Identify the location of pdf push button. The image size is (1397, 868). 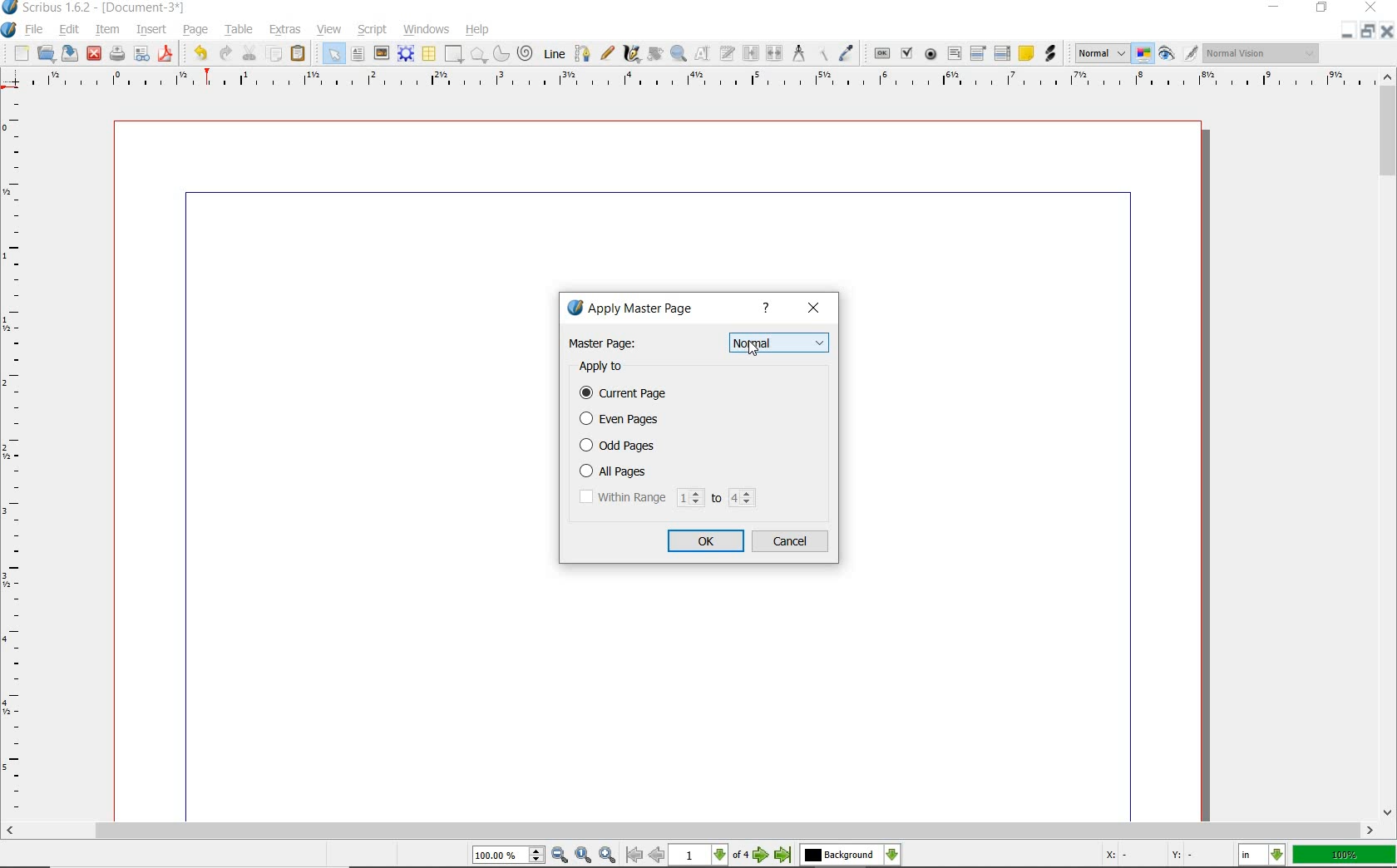
(881, 53).